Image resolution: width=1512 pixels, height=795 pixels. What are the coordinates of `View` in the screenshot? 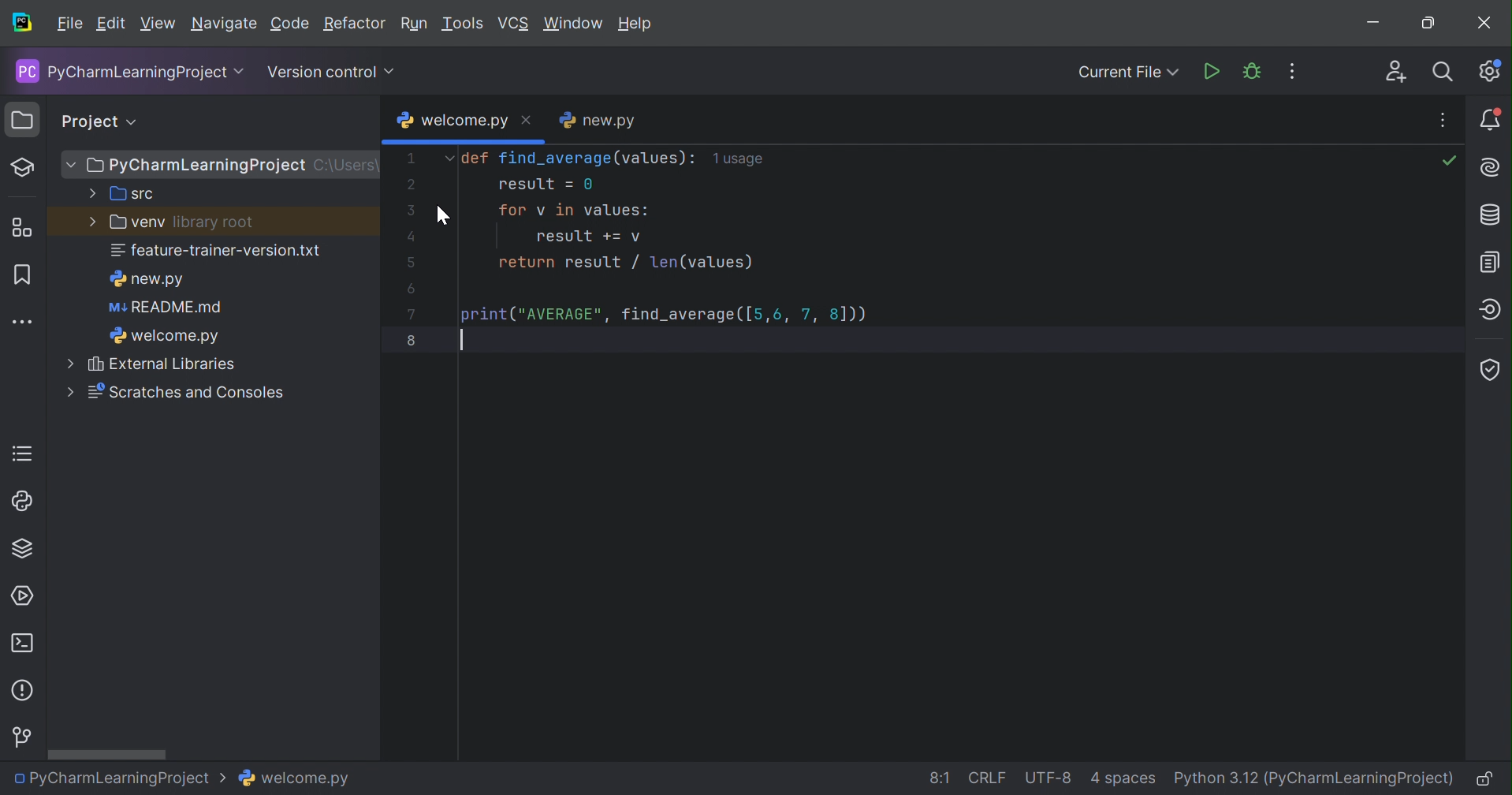 It's located at (156, 24).